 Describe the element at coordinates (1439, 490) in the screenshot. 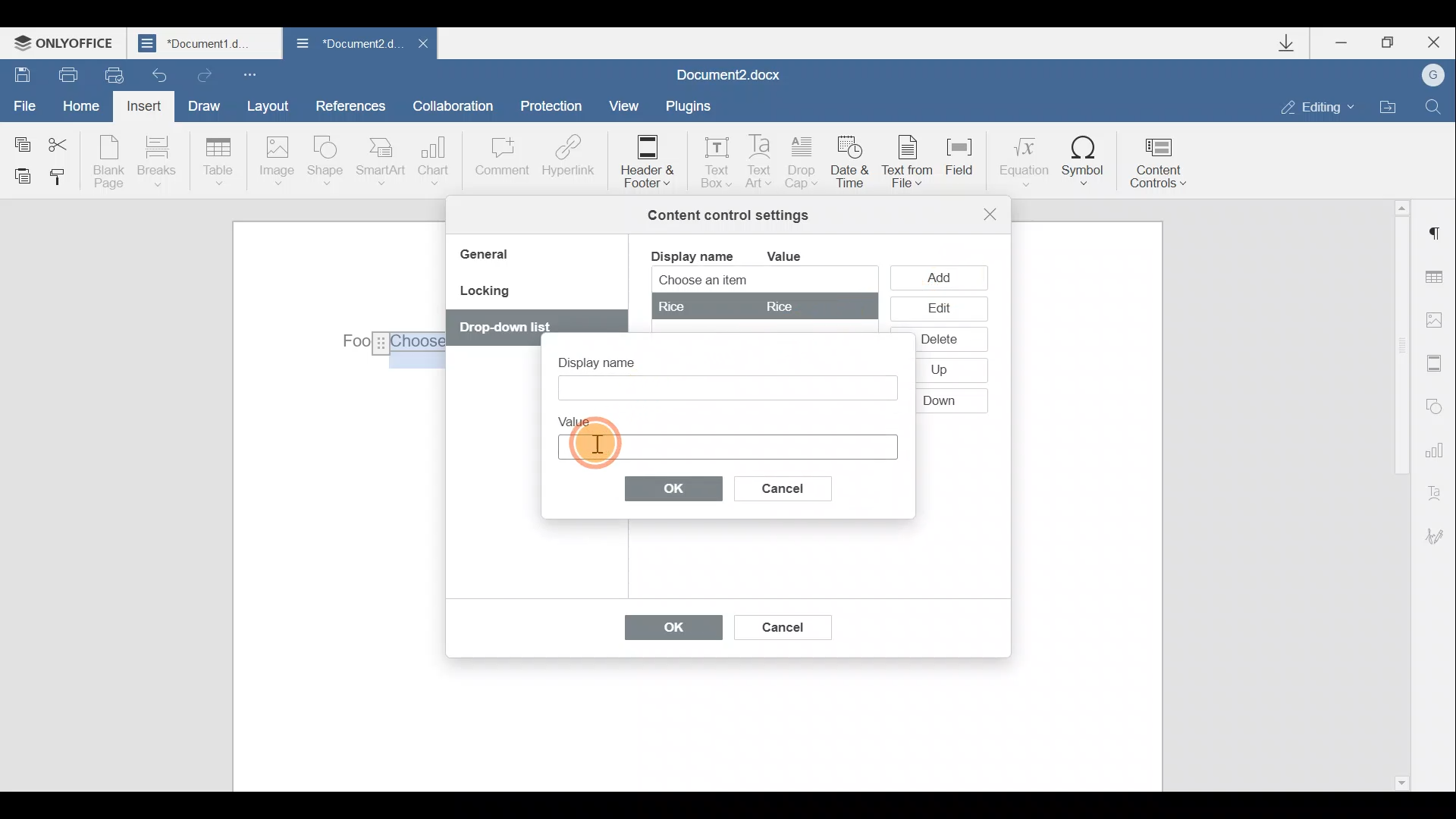

I see `Text Art settings` at that location.